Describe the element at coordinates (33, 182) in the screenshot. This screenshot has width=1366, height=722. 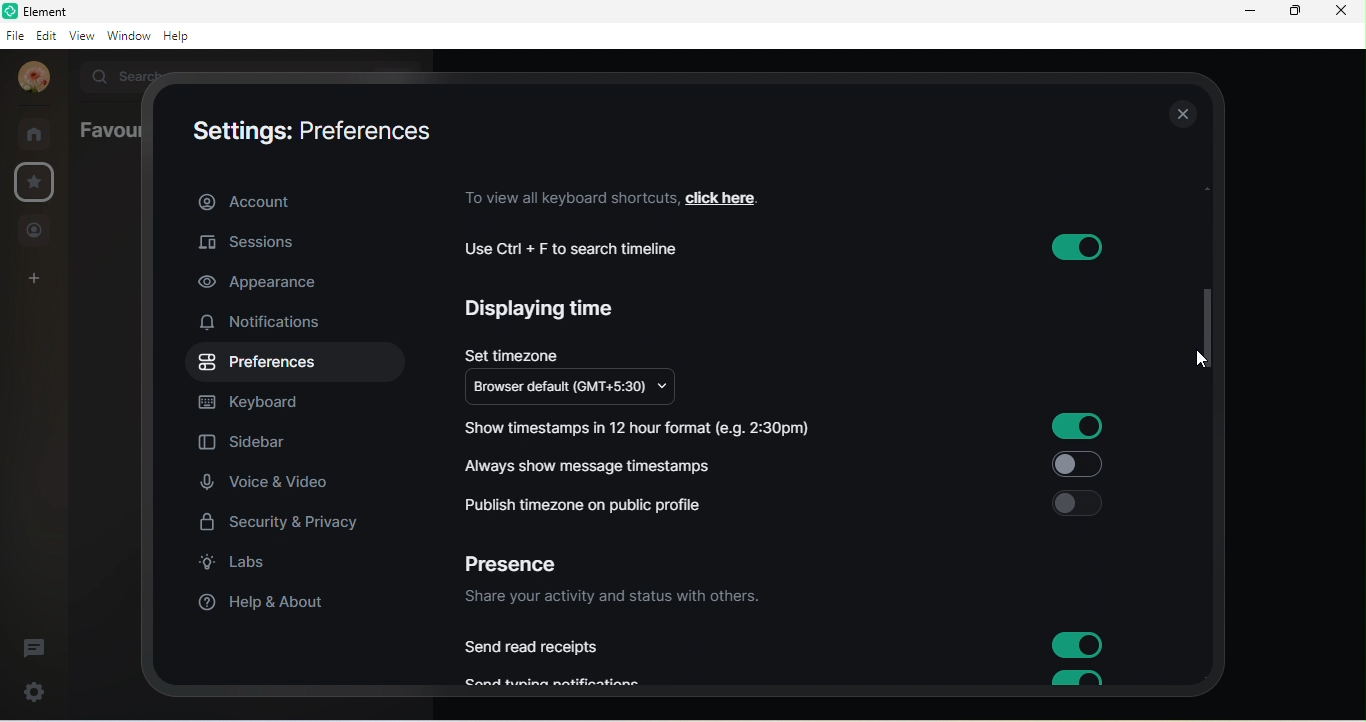
I see `favorites` at that location.